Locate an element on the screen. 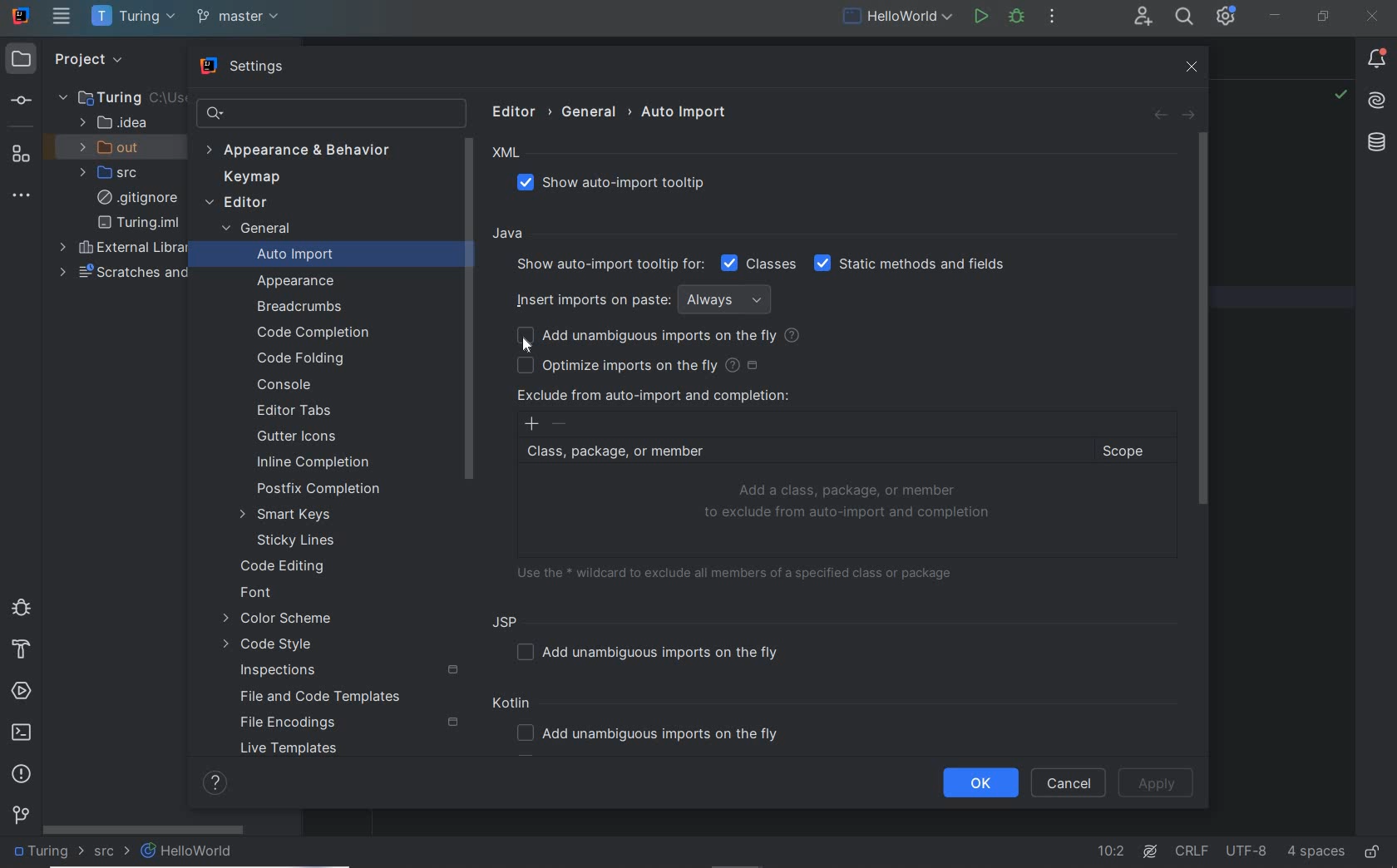 This screenshot has height=868, width=1397. APPEARANCE is located at coordinates (297, 282).